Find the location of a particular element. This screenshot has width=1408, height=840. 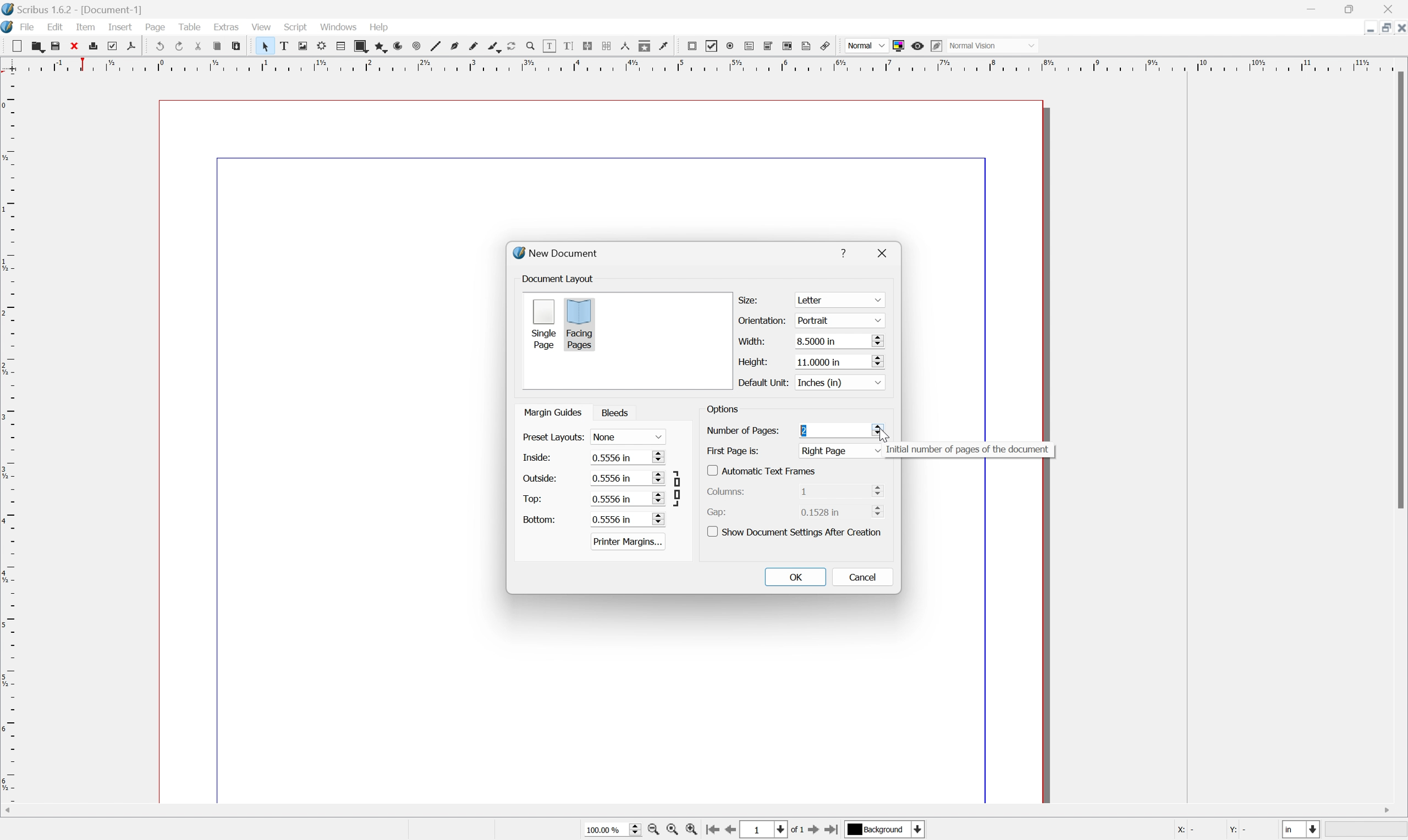

portrait is located at coordinates (837, 320).